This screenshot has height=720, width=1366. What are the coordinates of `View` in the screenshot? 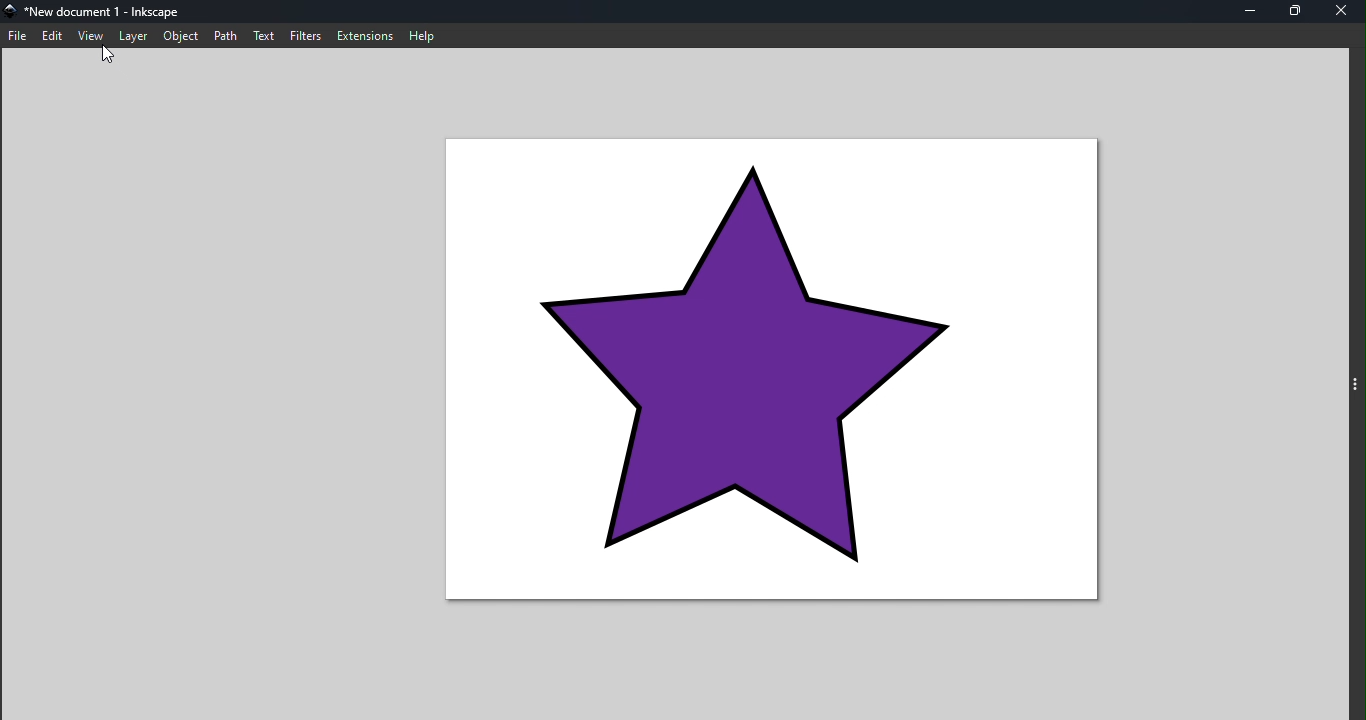 It's located at (90, 36).